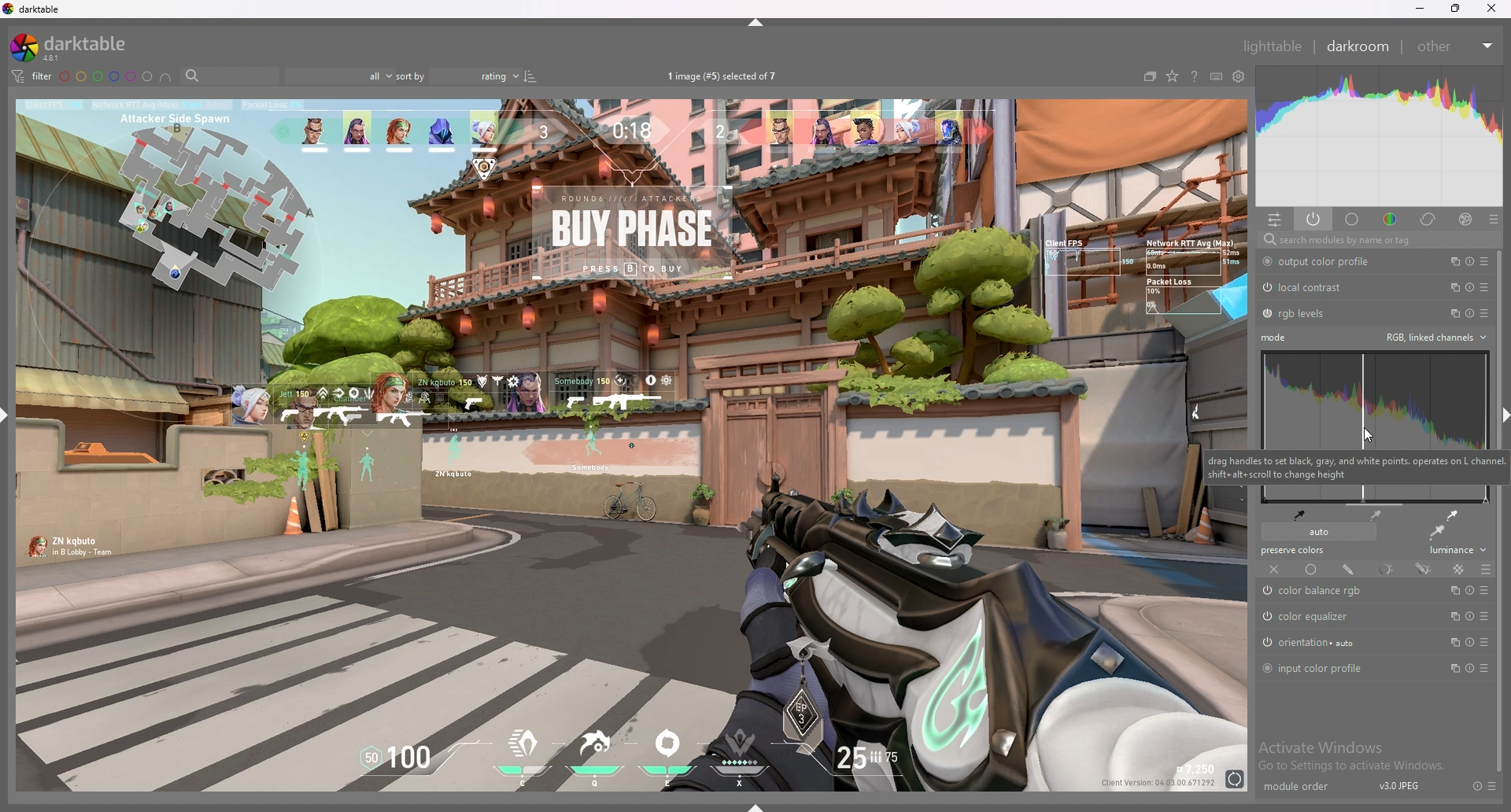 The width and height of the screenshot is (1511, 812). What do you see at coordinates (1461, 219) in the screenshot?
I see `effect` at bounding box center [1461, 219].